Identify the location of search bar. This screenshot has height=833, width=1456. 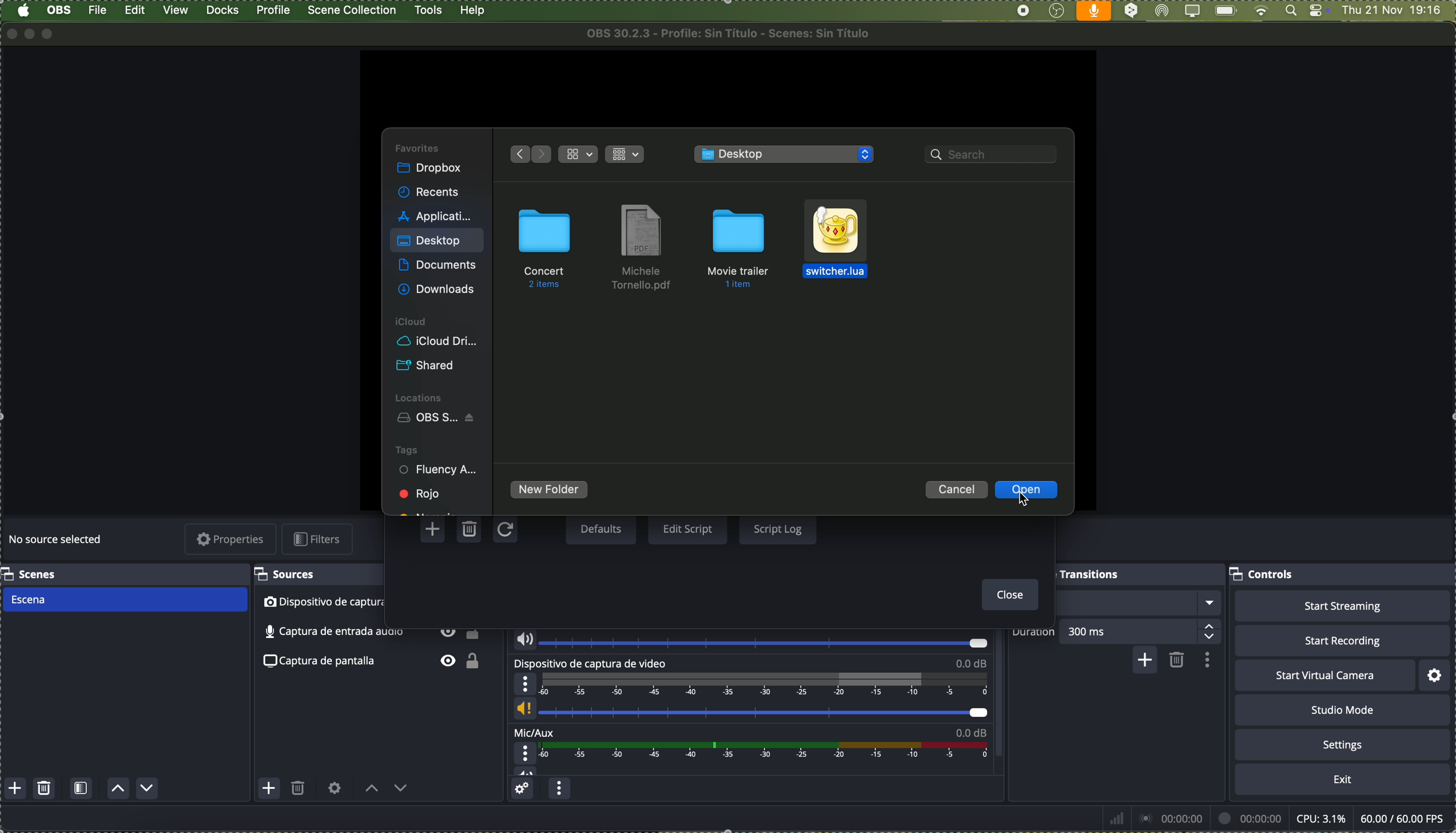
(994, 156).